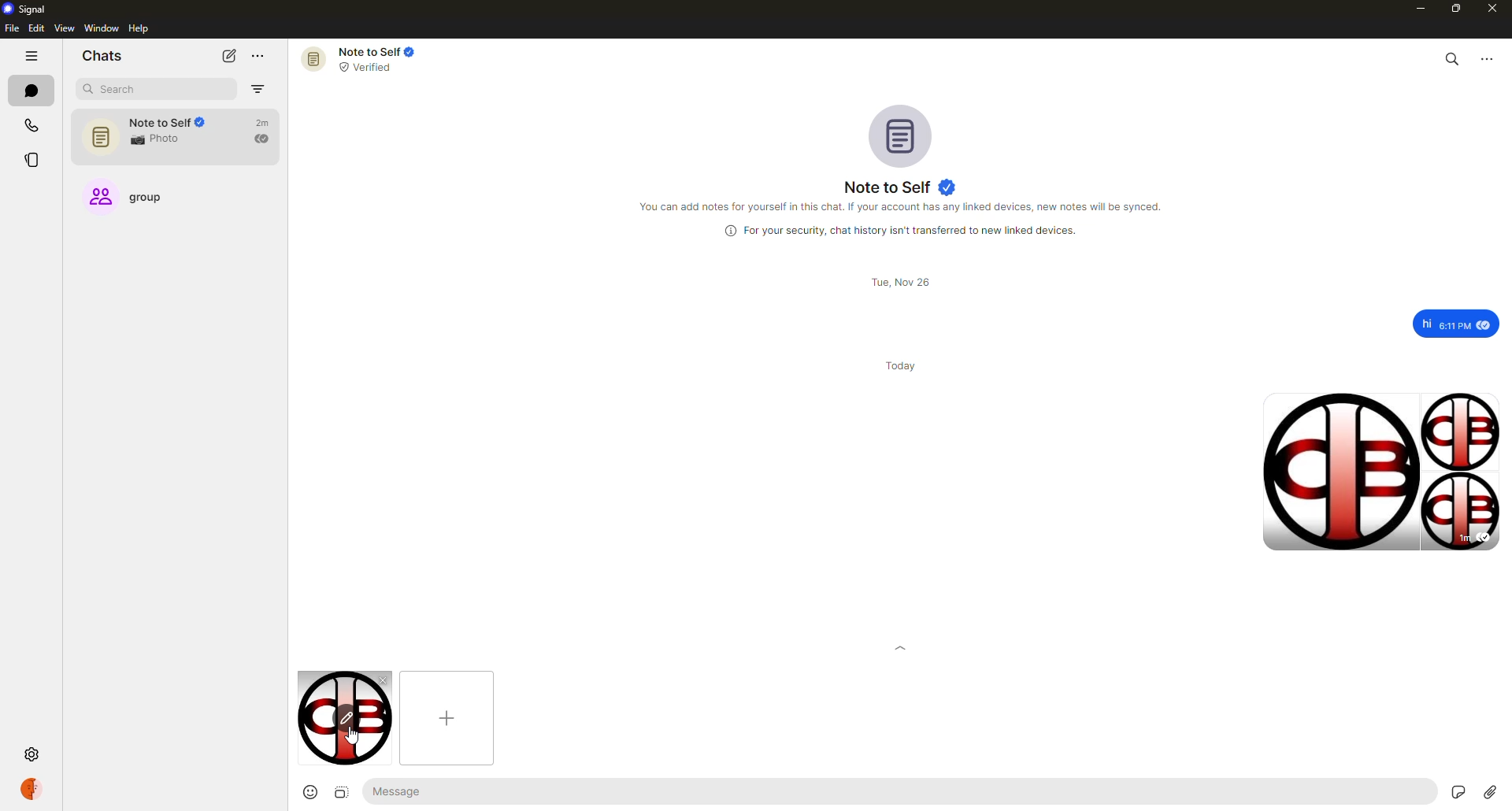 Image resolution: width=1512 pixels, height=811 pixels. Describe the element at coordinates (31, 91) in the screenshot. I see `chats` at that location.